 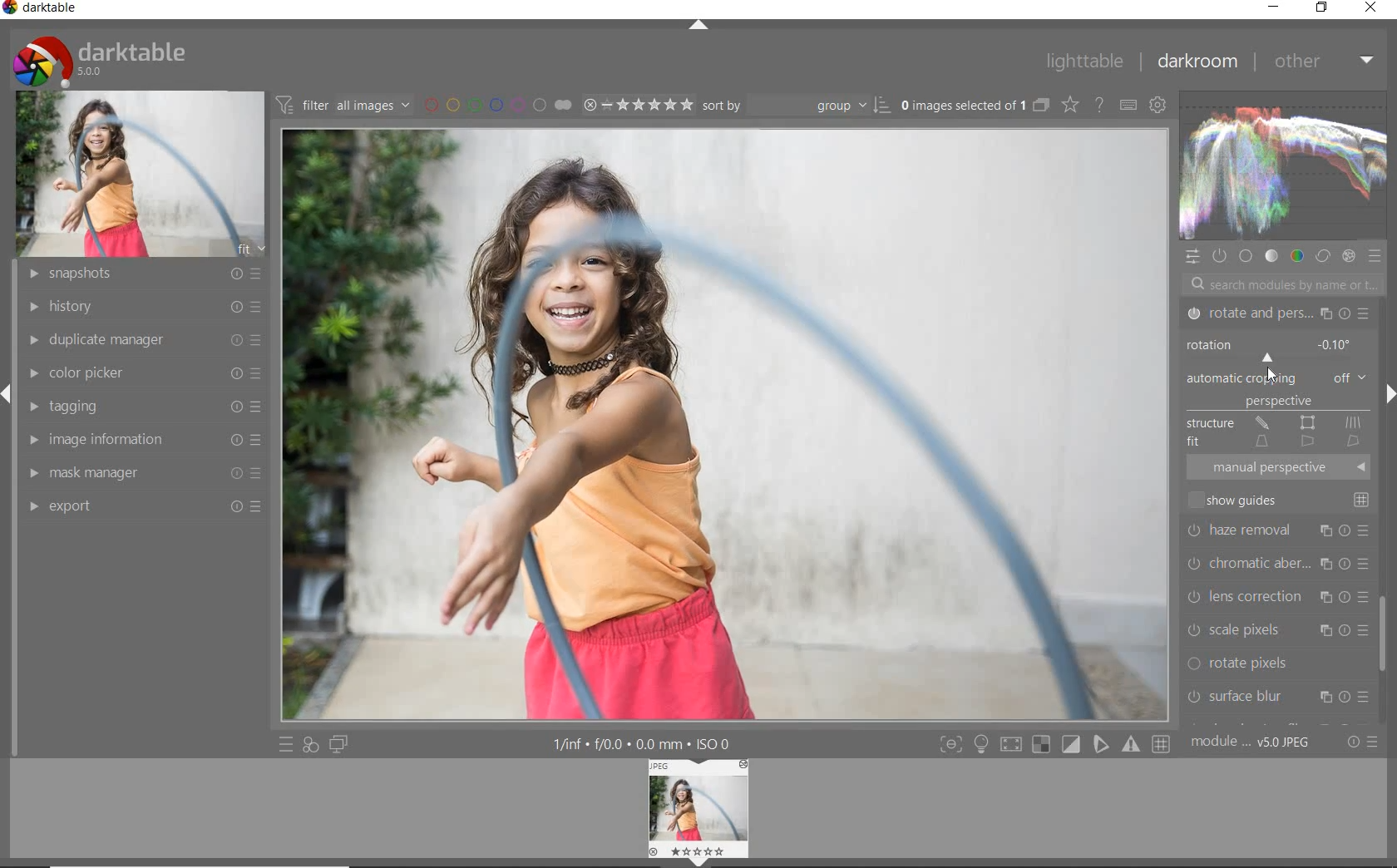 I want to click on restore, so click(x=1324, y=7).